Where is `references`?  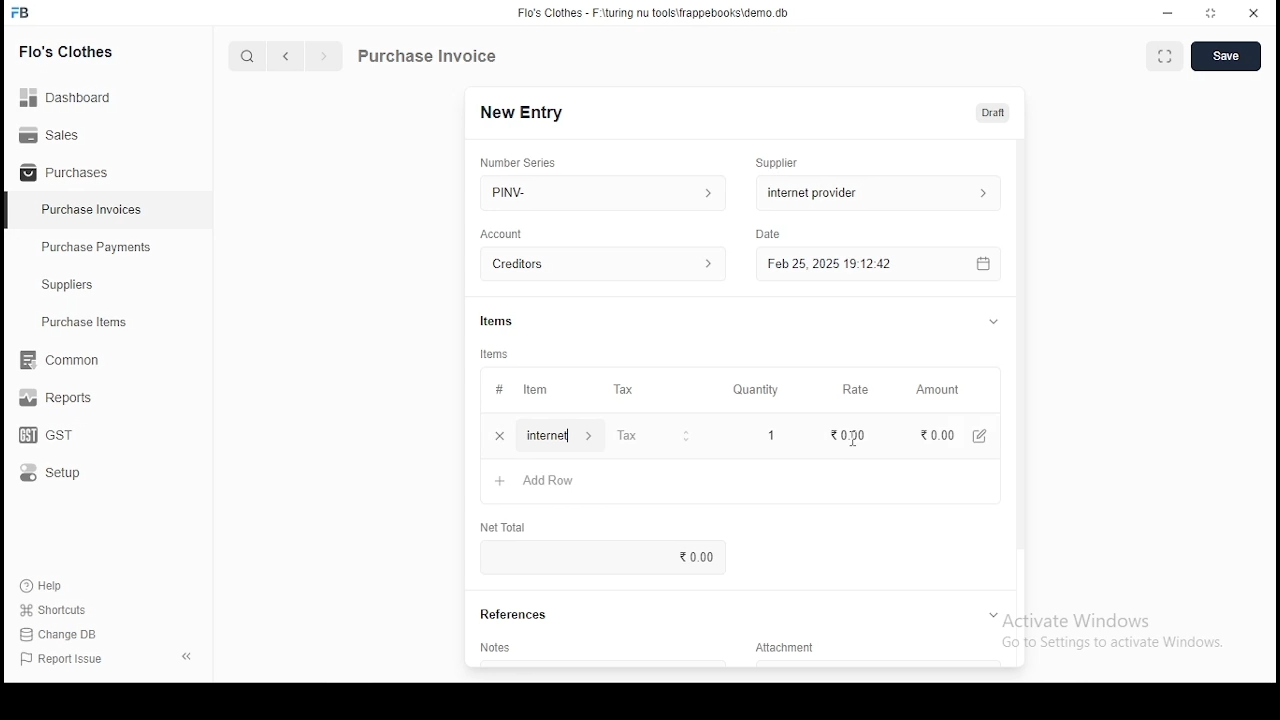 references is located at coordinates (515, 615).